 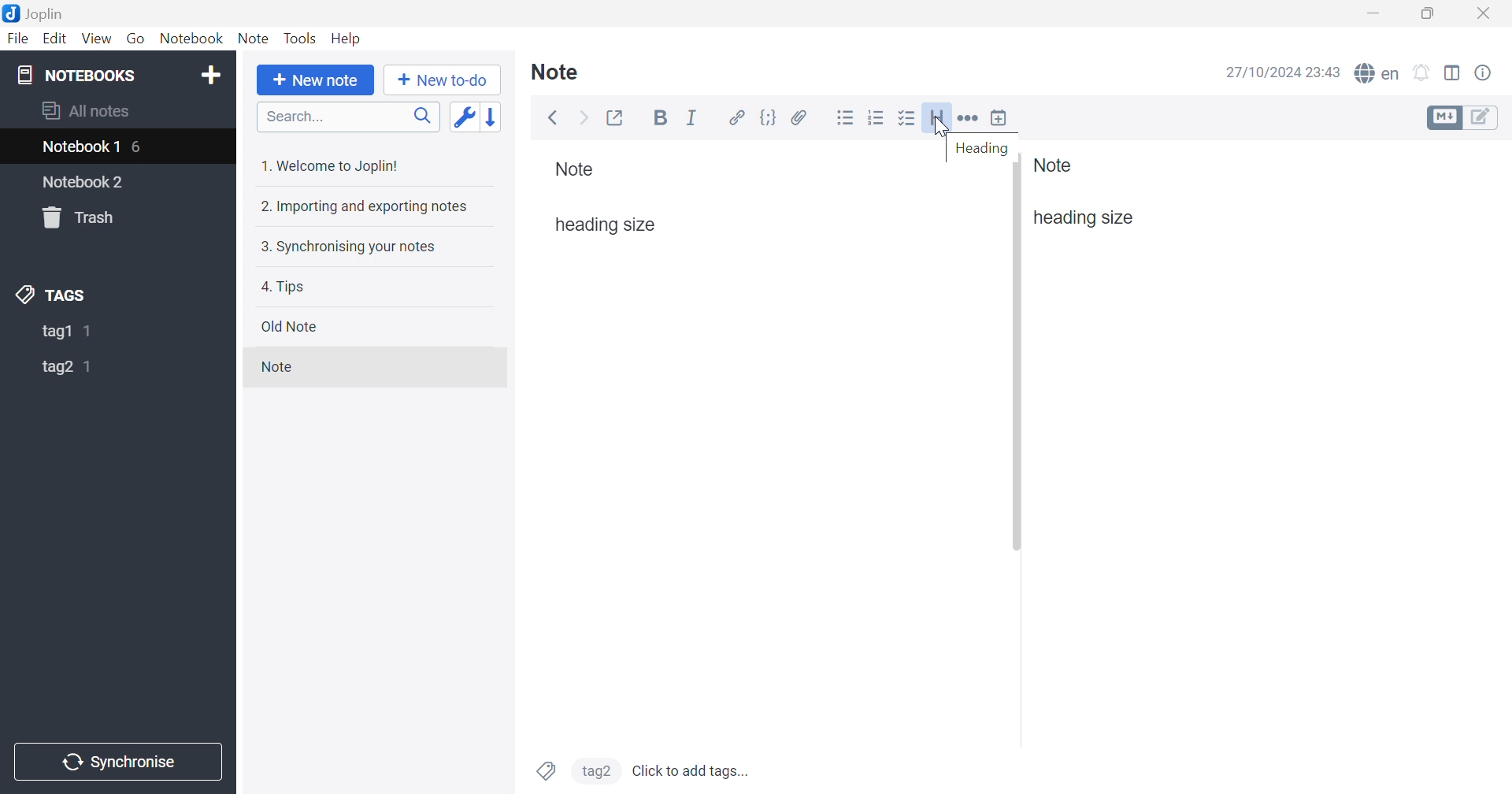 I want to click on 1, so click(x=91, y=331).